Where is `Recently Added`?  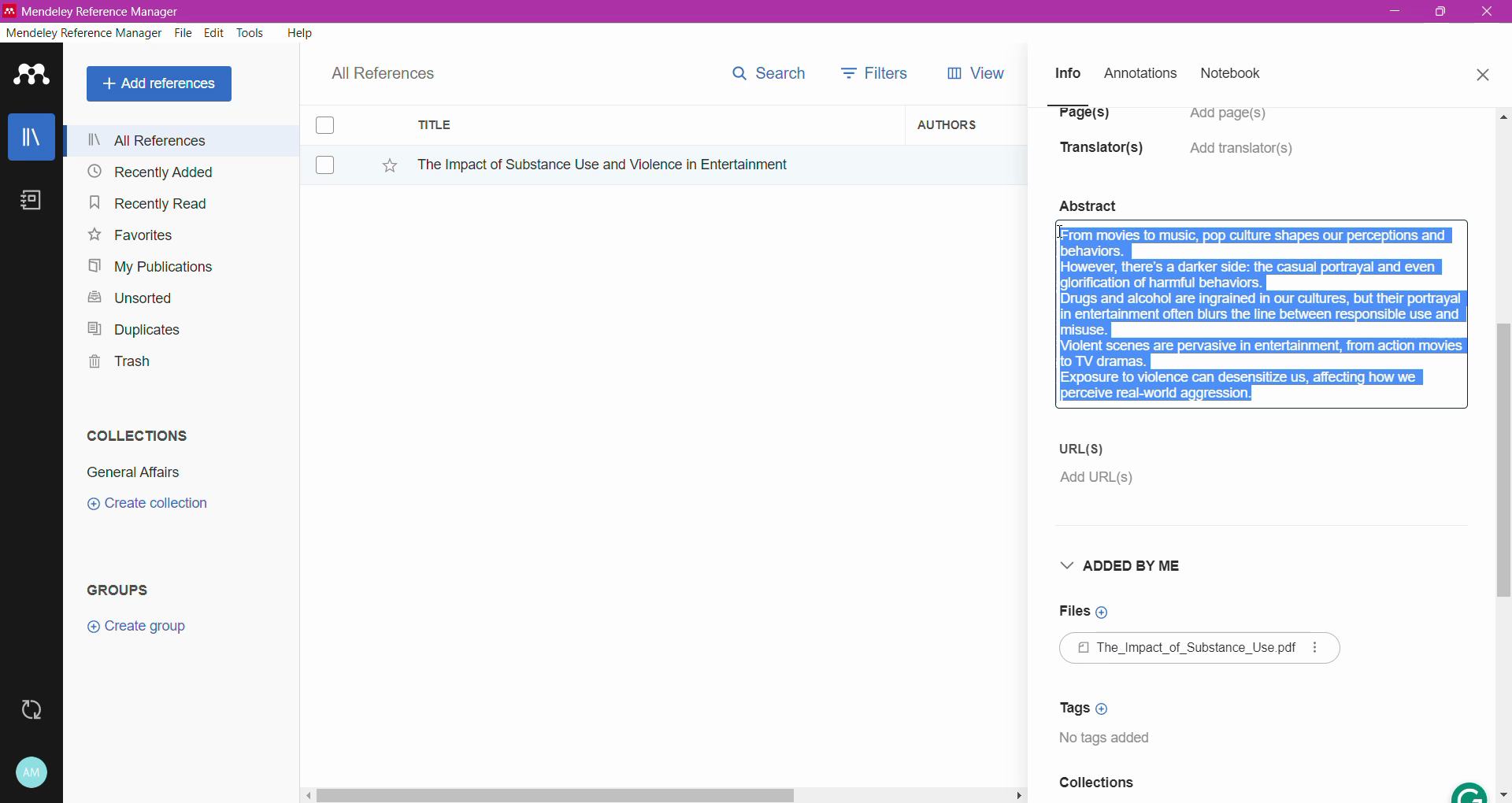
Recently Added is located at coordinates (148, 172).